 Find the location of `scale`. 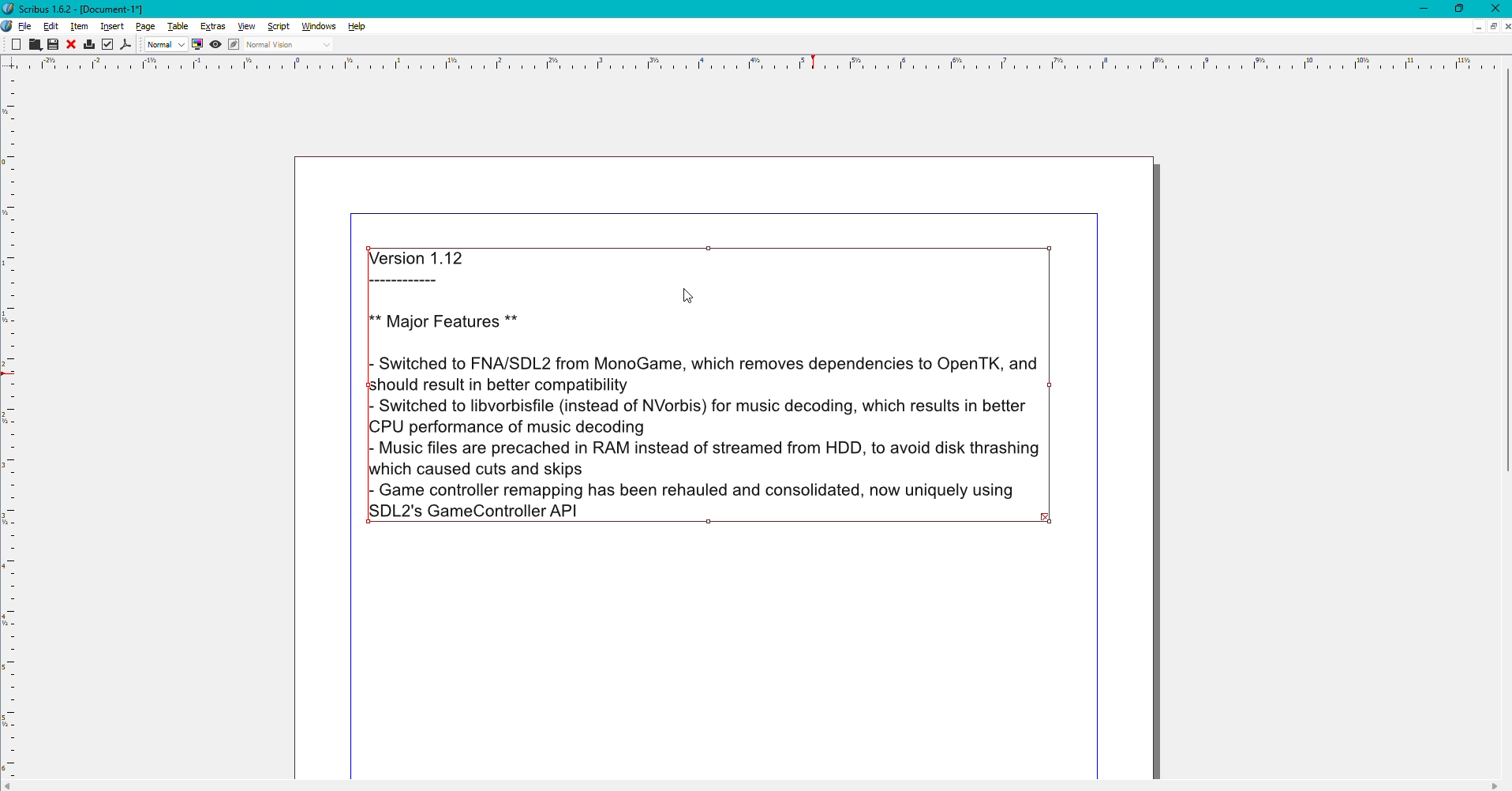

scale is located at coordinates (762, 62).